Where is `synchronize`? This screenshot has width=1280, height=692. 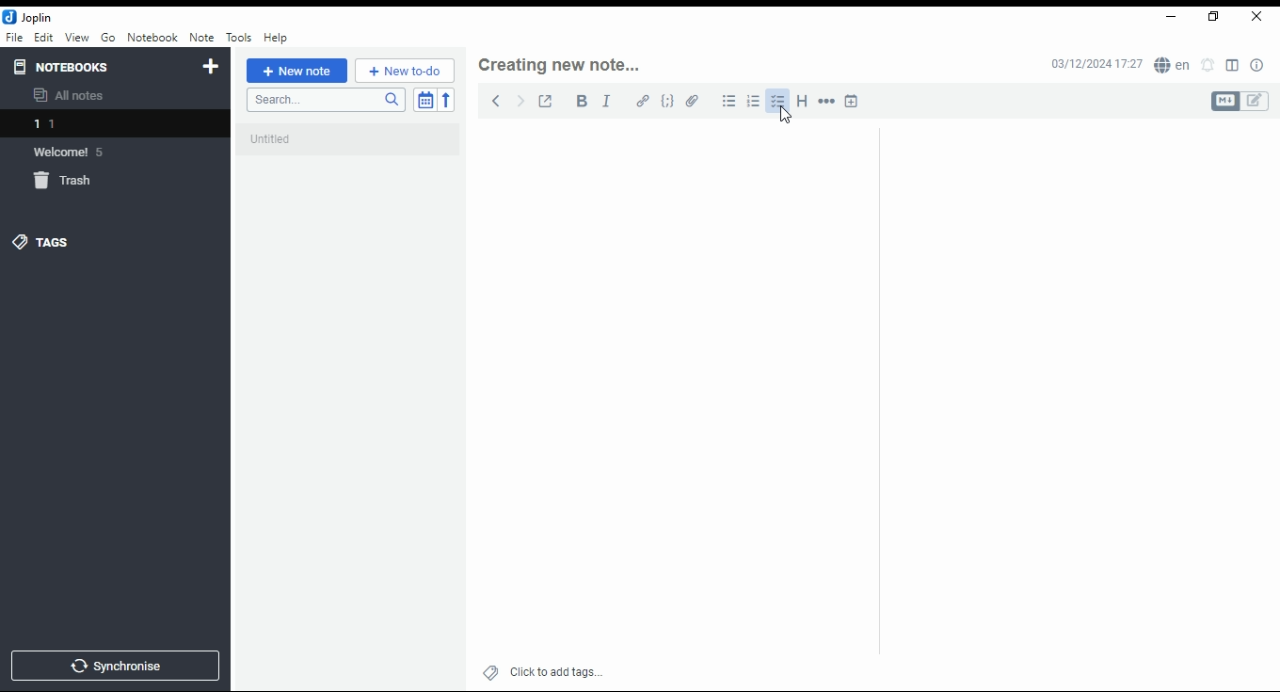 synchronize is located at coordinates (116, 666).